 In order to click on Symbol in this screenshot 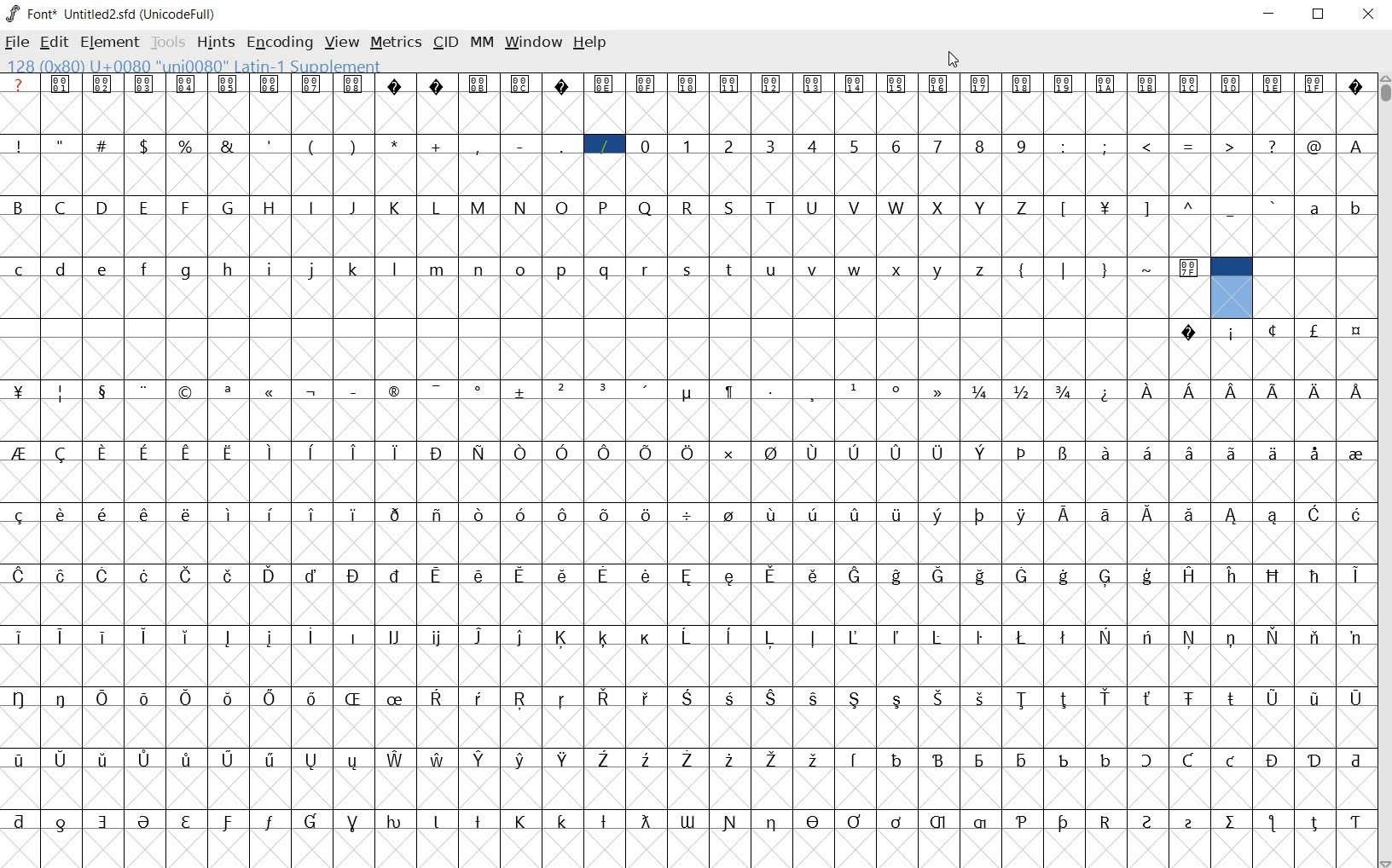, I will do `click(1150, 698)`.